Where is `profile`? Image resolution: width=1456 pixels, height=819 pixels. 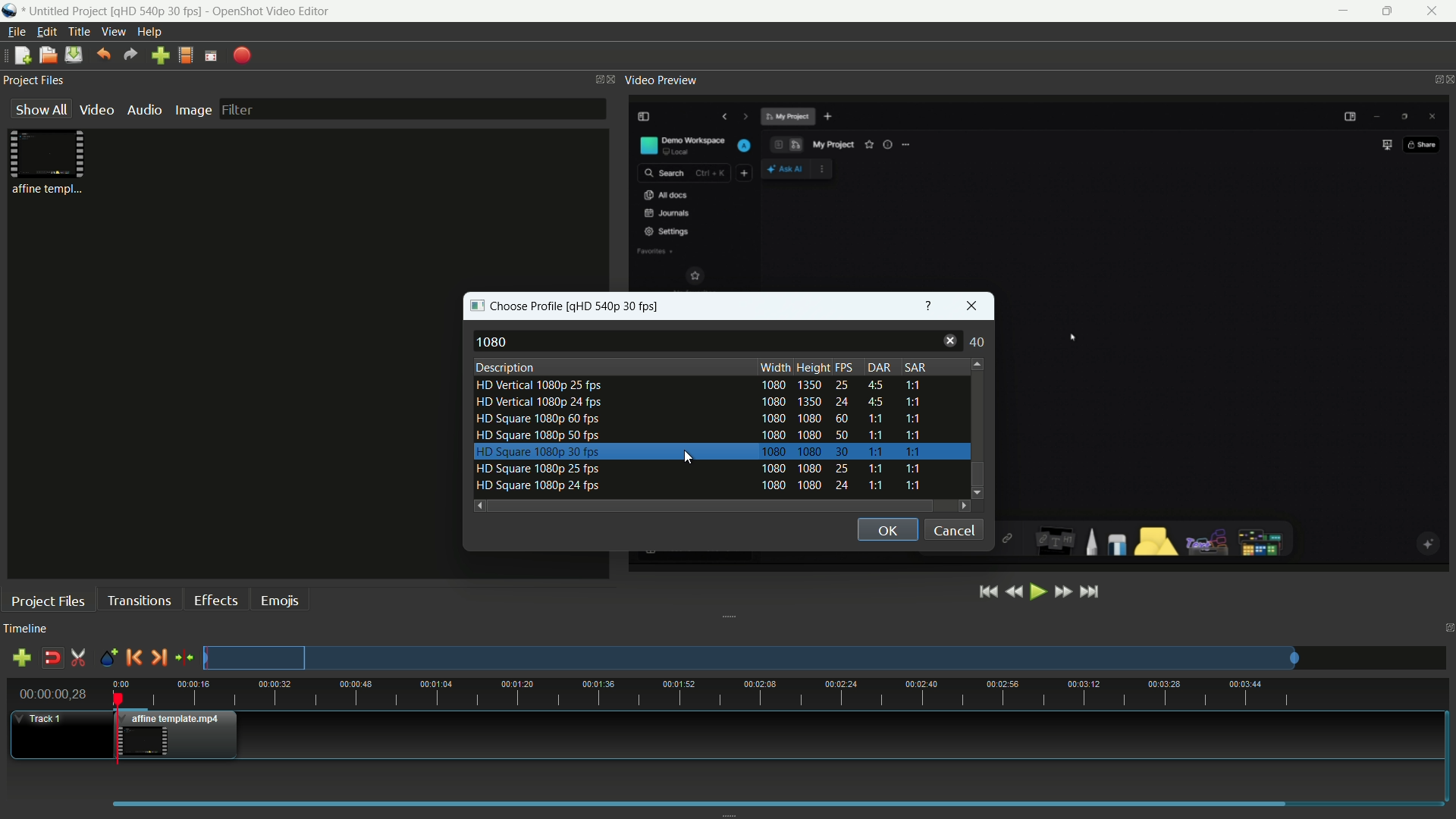 profile is located at coordinates (617, 306).